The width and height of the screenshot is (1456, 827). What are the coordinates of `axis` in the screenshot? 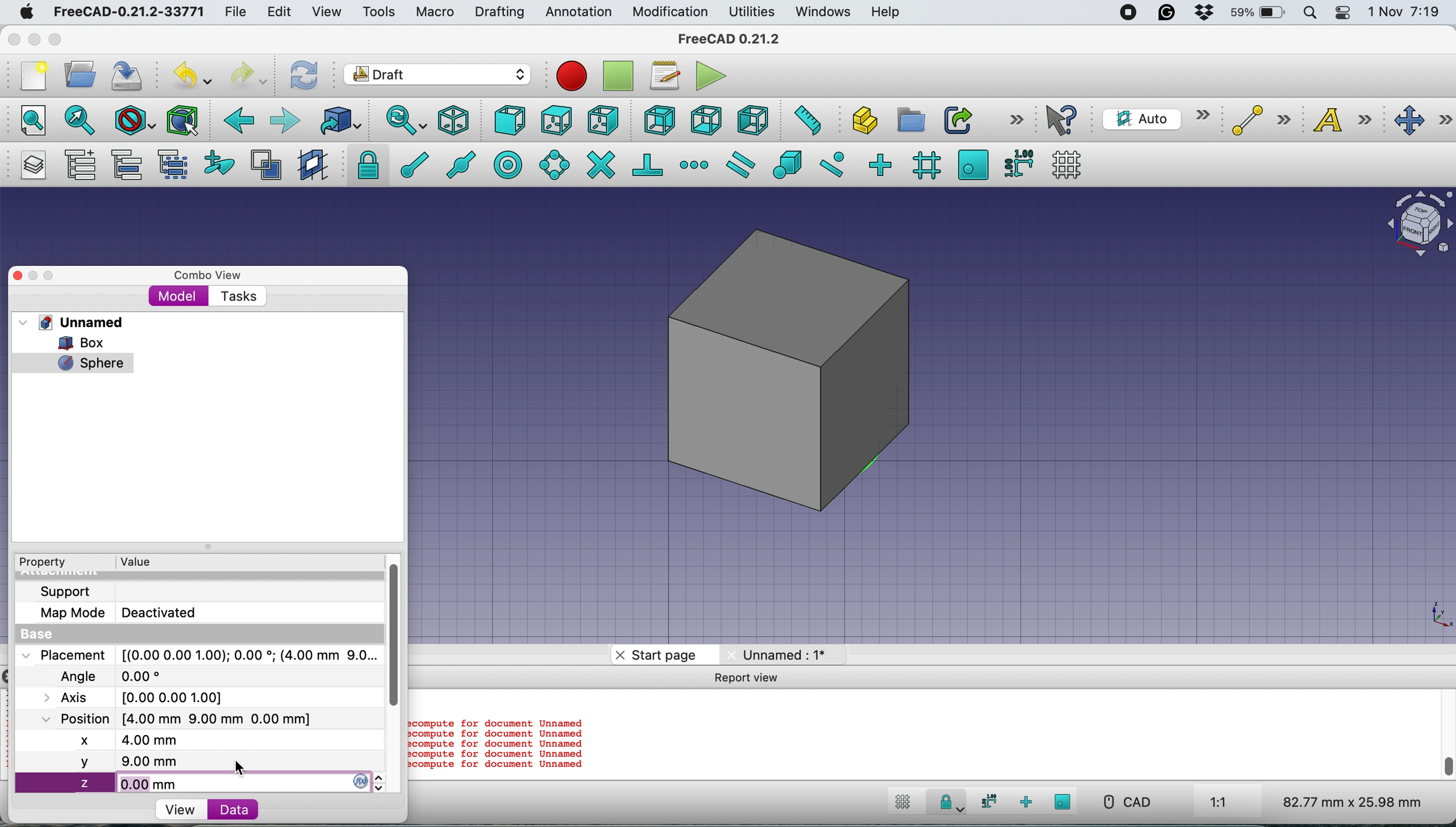 It's located at (147, 697).